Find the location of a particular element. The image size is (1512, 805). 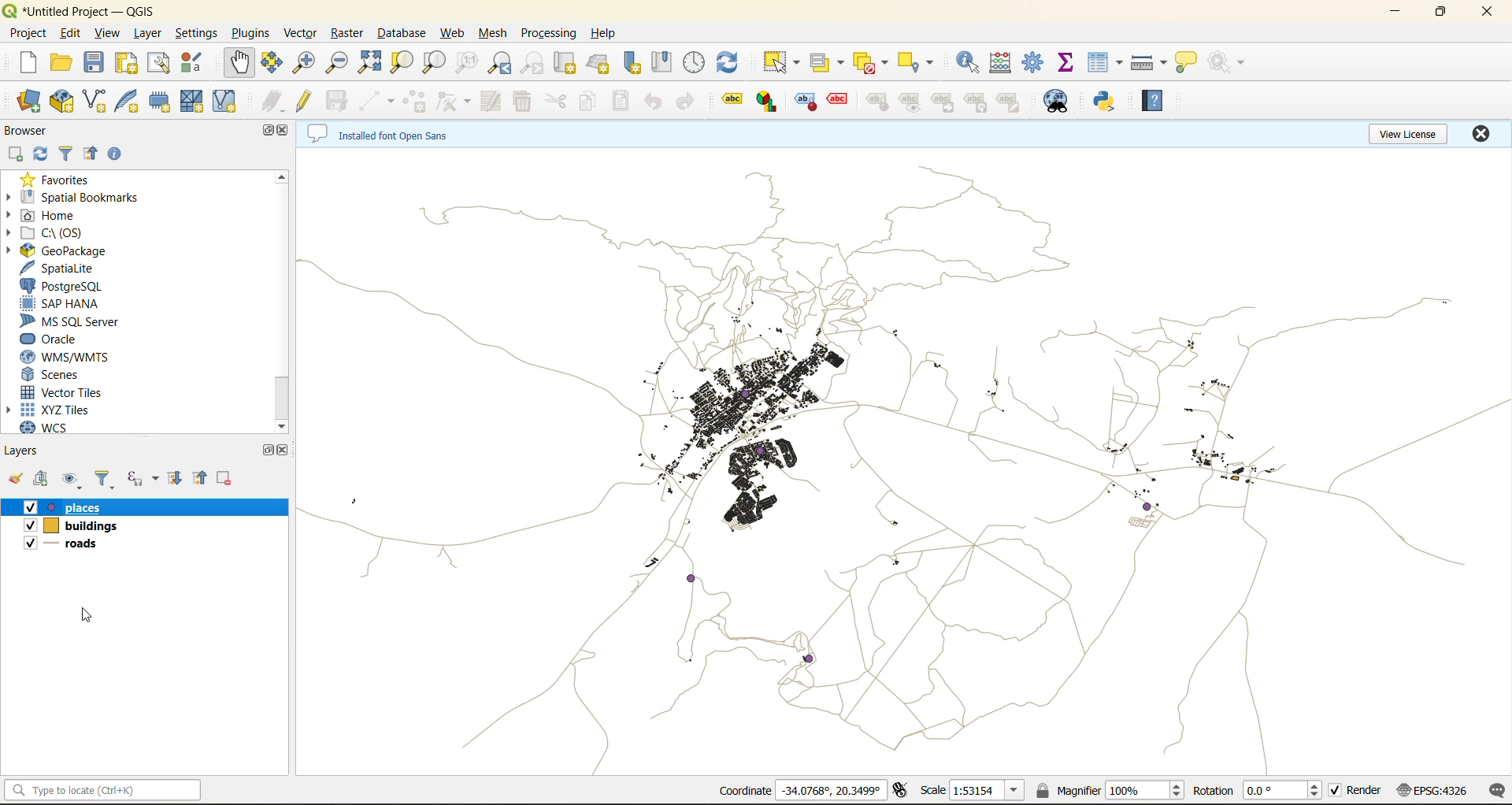

spatial bookmarks is located at coordinates (73, 198).